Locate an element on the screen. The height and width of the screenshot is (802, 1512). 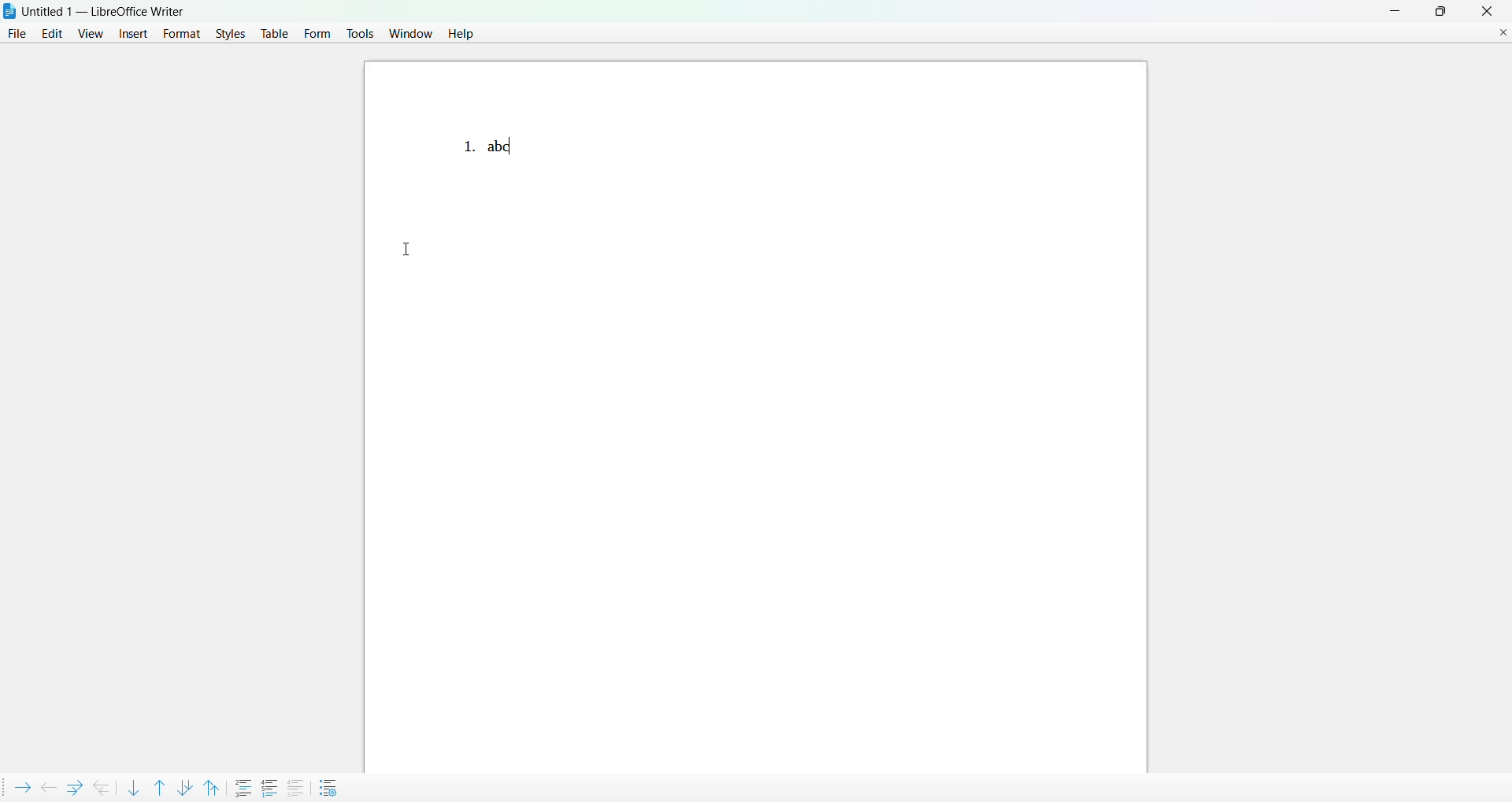
demote outline level with subpoints is located at coordinates (72, 786).